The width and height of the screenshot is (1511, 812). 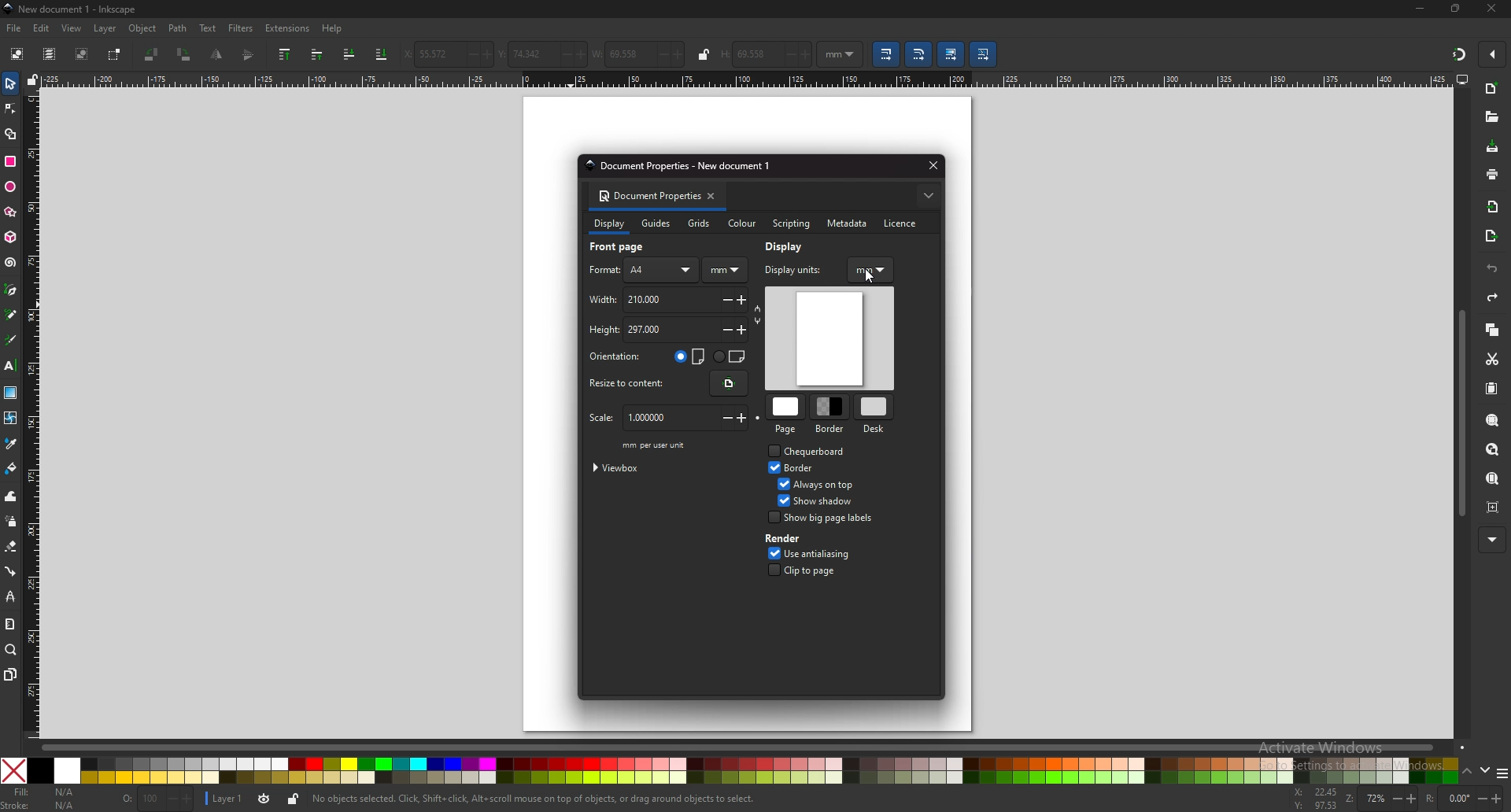 What do you see at coordinates (49, 54) in the screenshot?
I see `select all in all layers` at bounding box center [49, 54].